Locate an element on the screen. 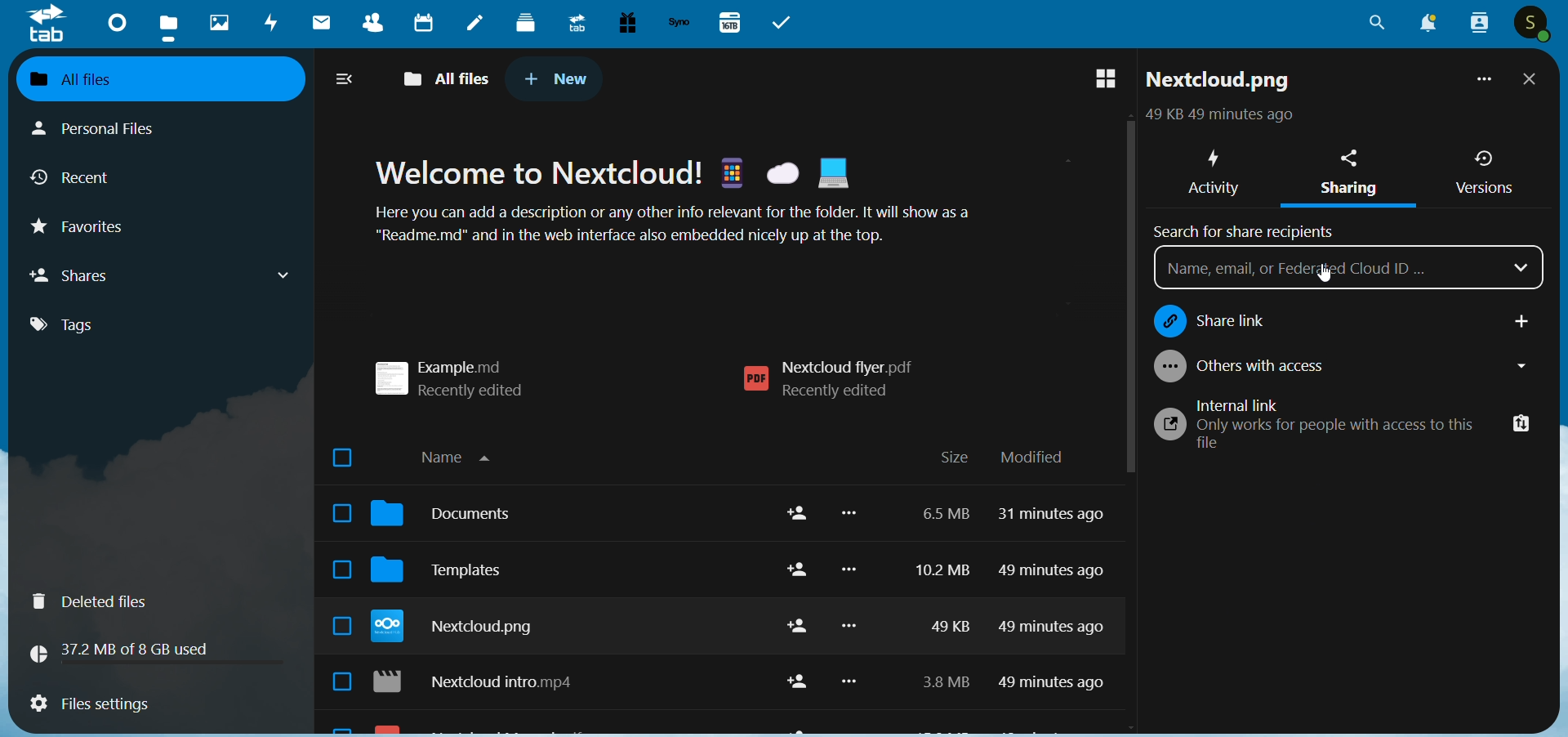  nextcloud png is located at coordinates (461, 629).